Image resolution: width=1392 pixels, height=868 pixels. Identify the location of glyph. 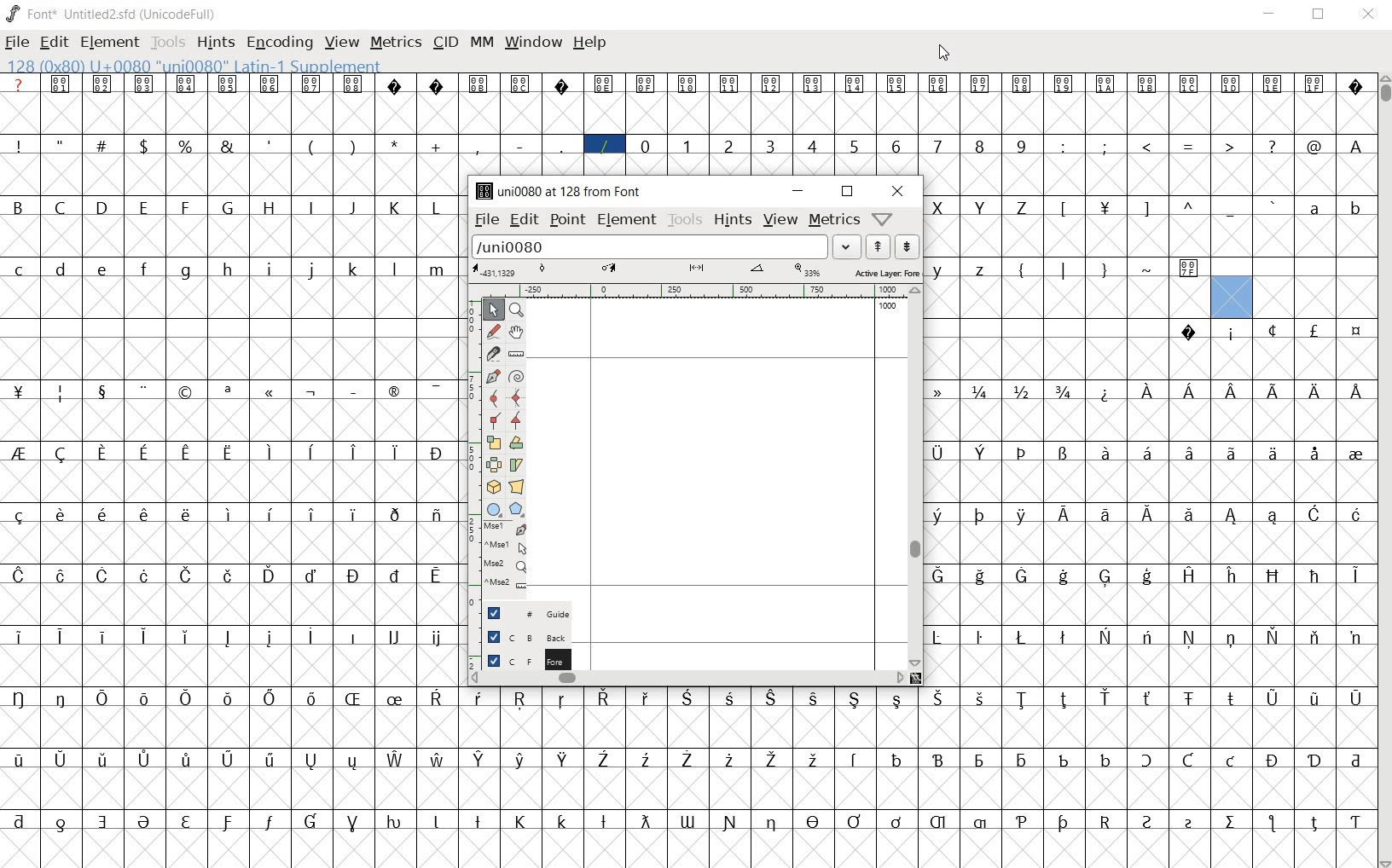
(354, 452).